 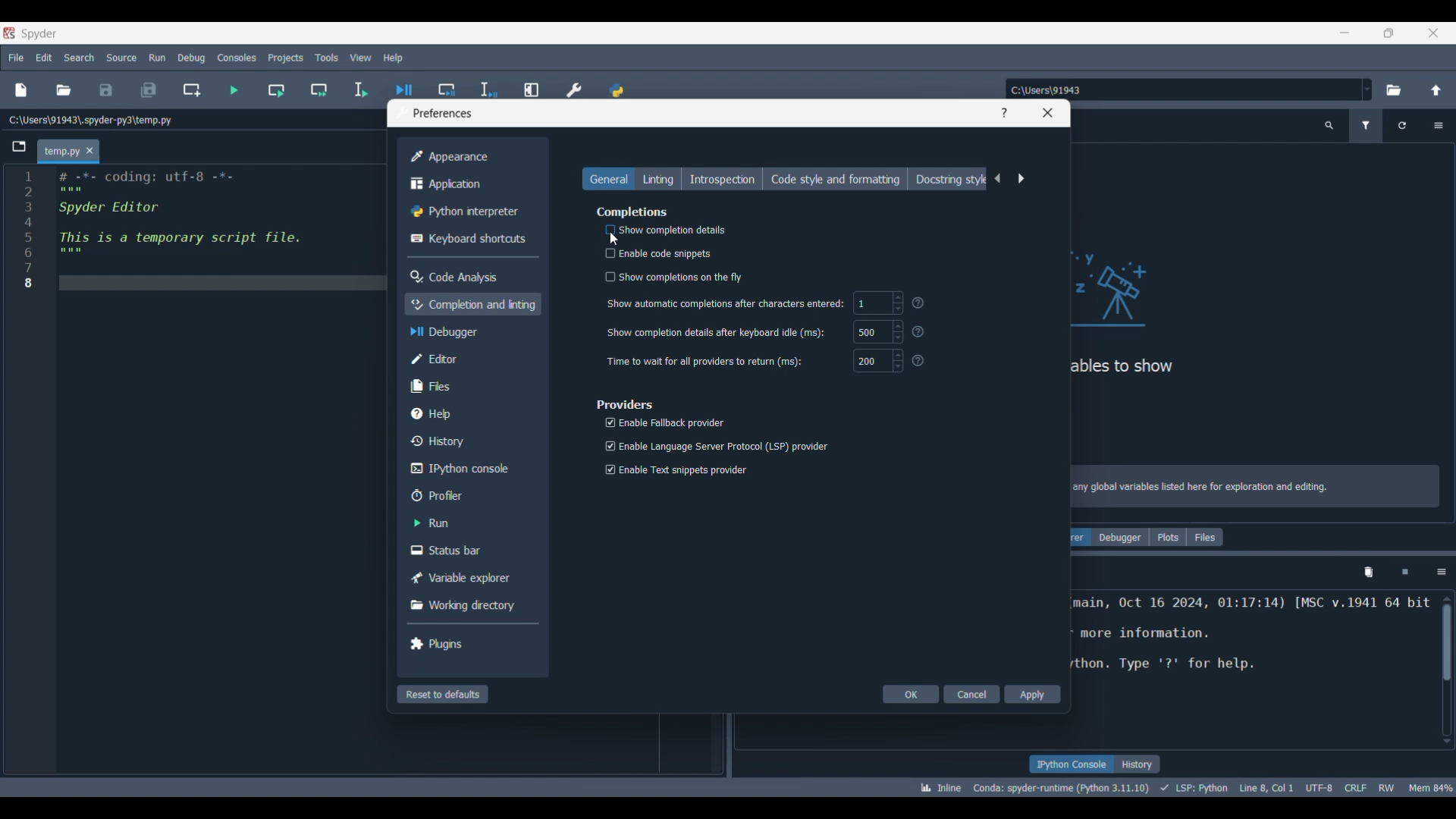 What do you see at coordinates (533, 84) in the screenshot?
I see `Maximize current line` at bounding box center [533, 84].